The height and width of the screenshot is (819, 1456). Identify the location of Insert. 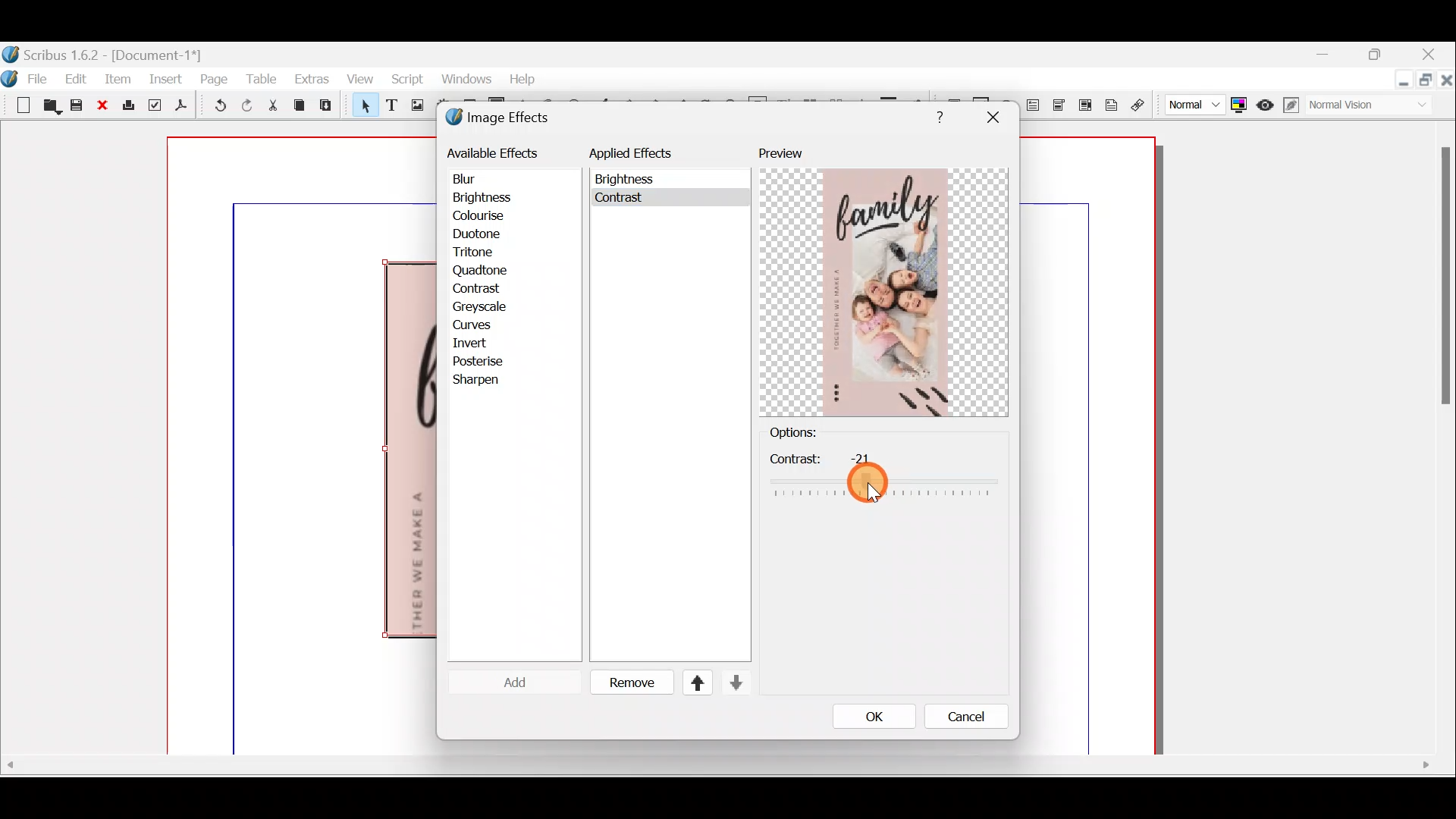
(167, 78).